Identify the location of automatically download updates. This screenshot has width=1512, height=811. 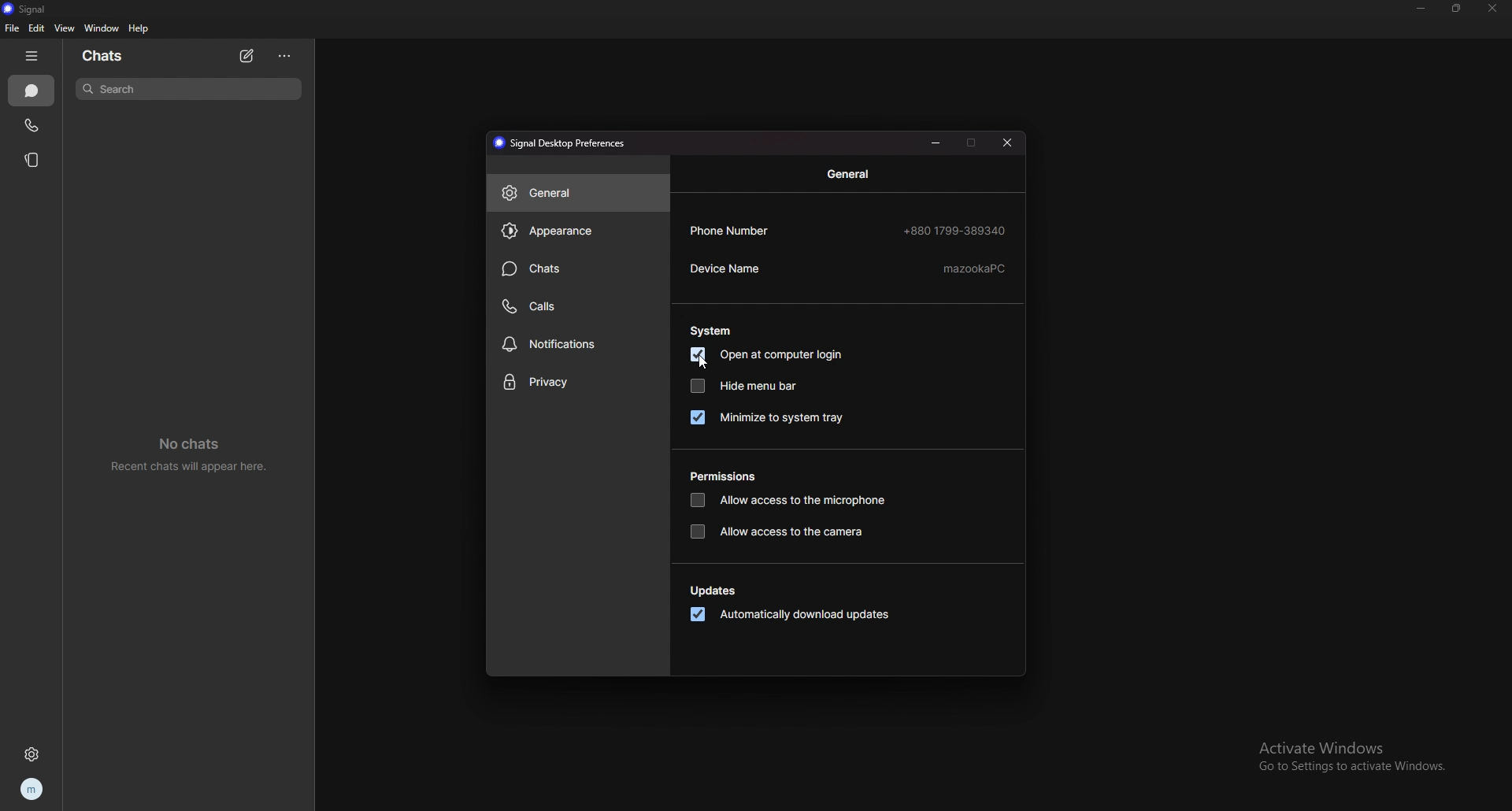
(791, 616).